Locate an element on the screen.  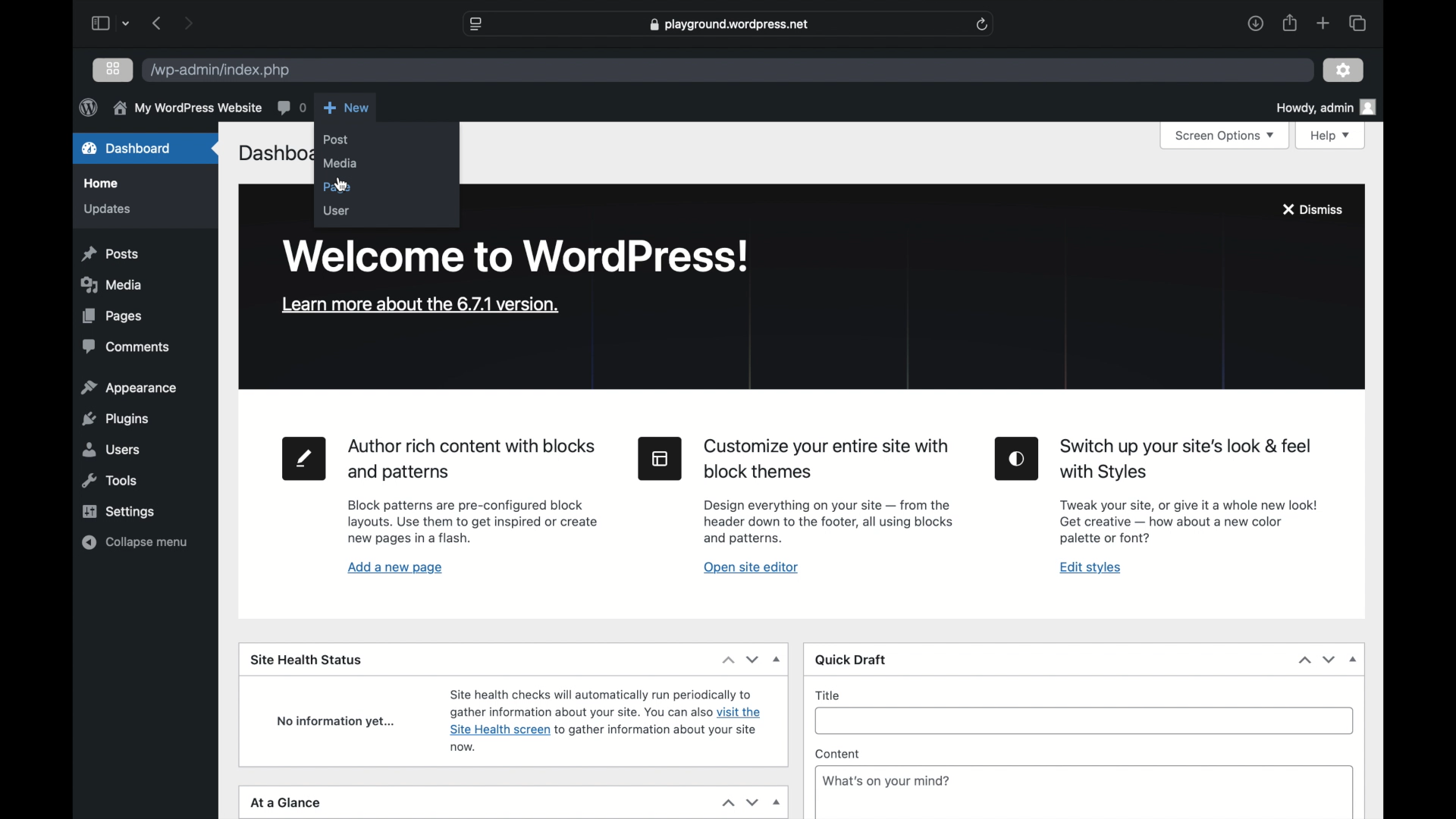
title is located at coordinates (828, 695).